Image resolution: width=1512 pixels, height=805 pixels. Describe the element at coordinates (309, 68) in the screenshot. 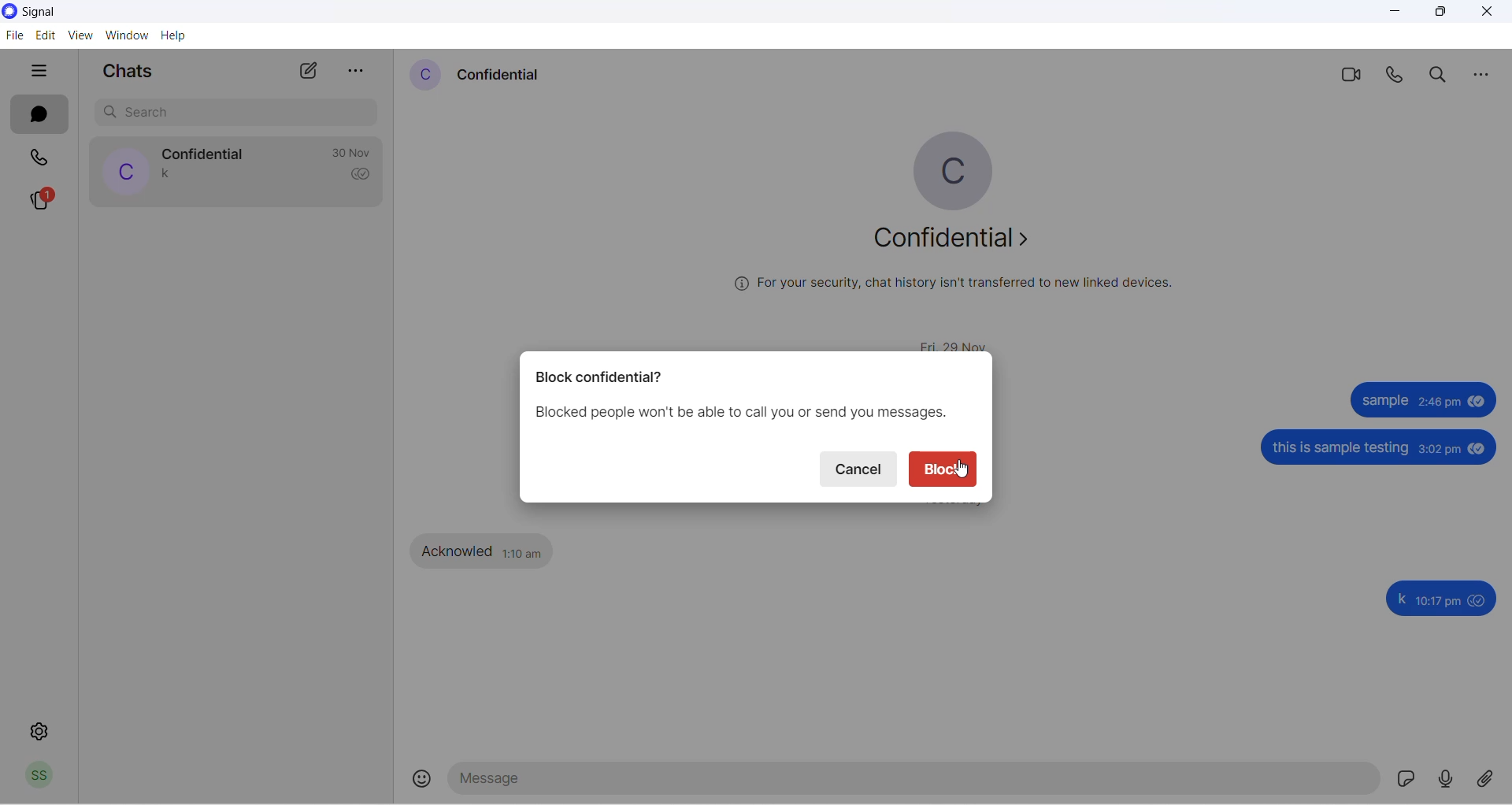

I see `new chats` at that location.